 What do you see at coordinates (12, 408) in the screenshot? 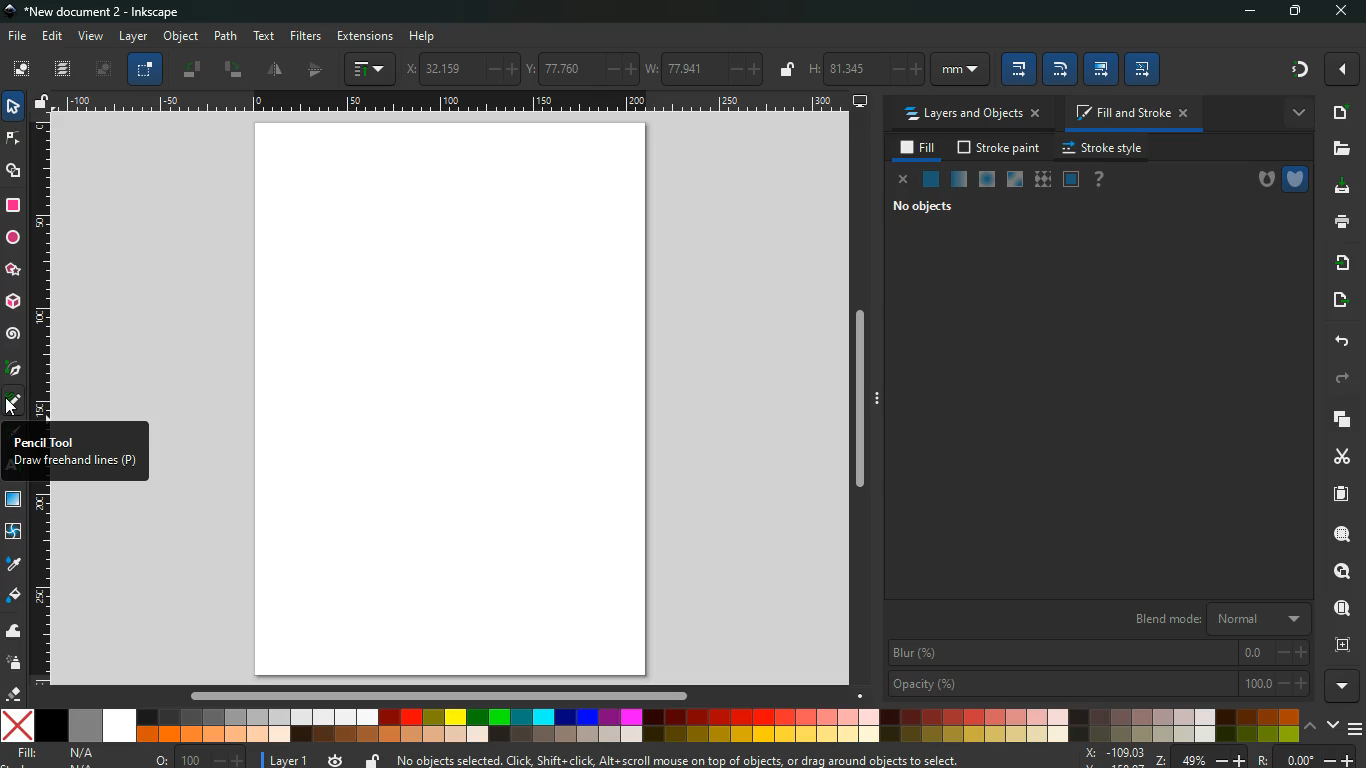
I see `Cursor` at bounding box center [12, 408].